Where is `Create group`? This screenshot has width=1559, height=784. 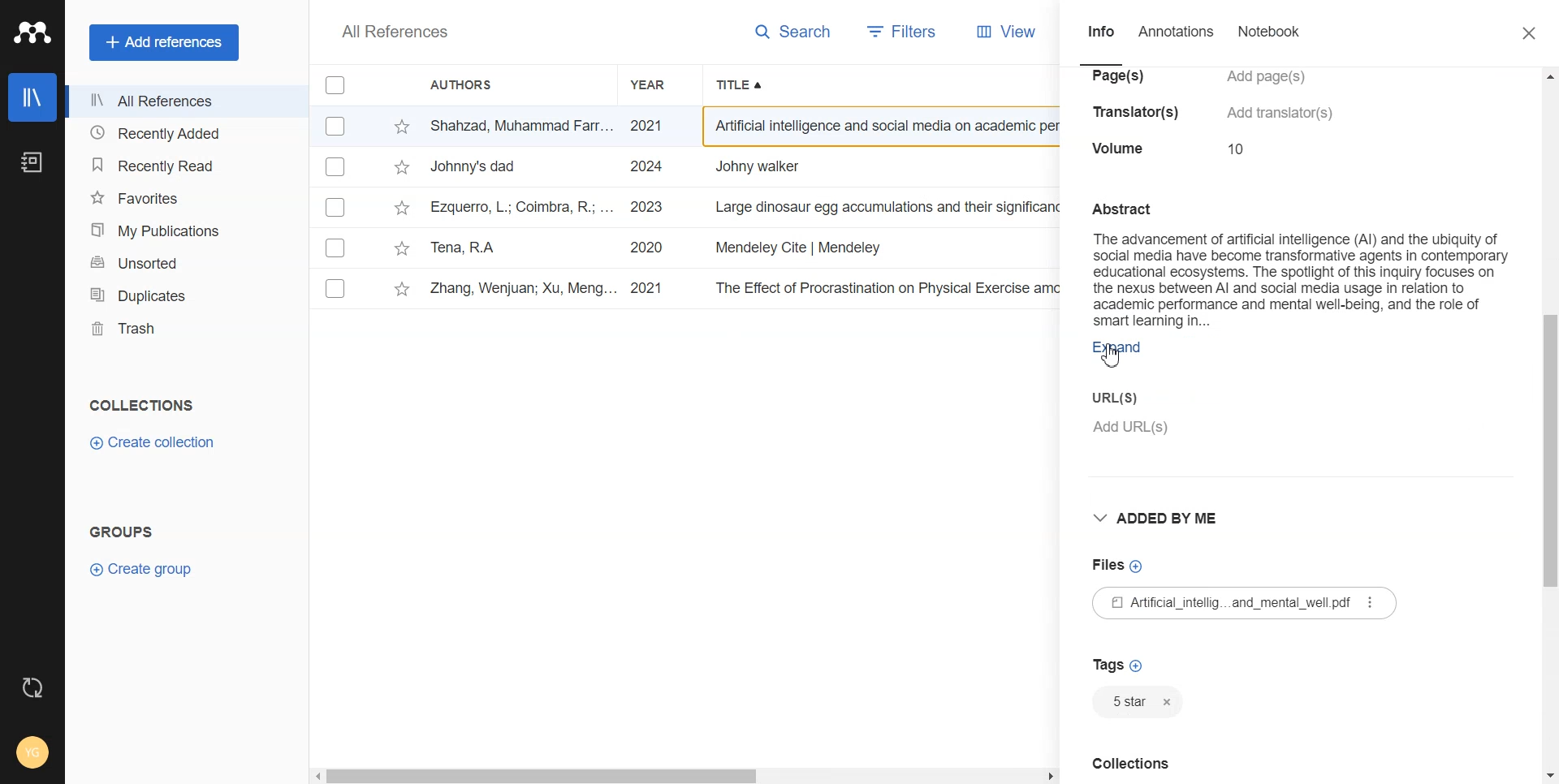
Create group is located at coordinates (144, 570).